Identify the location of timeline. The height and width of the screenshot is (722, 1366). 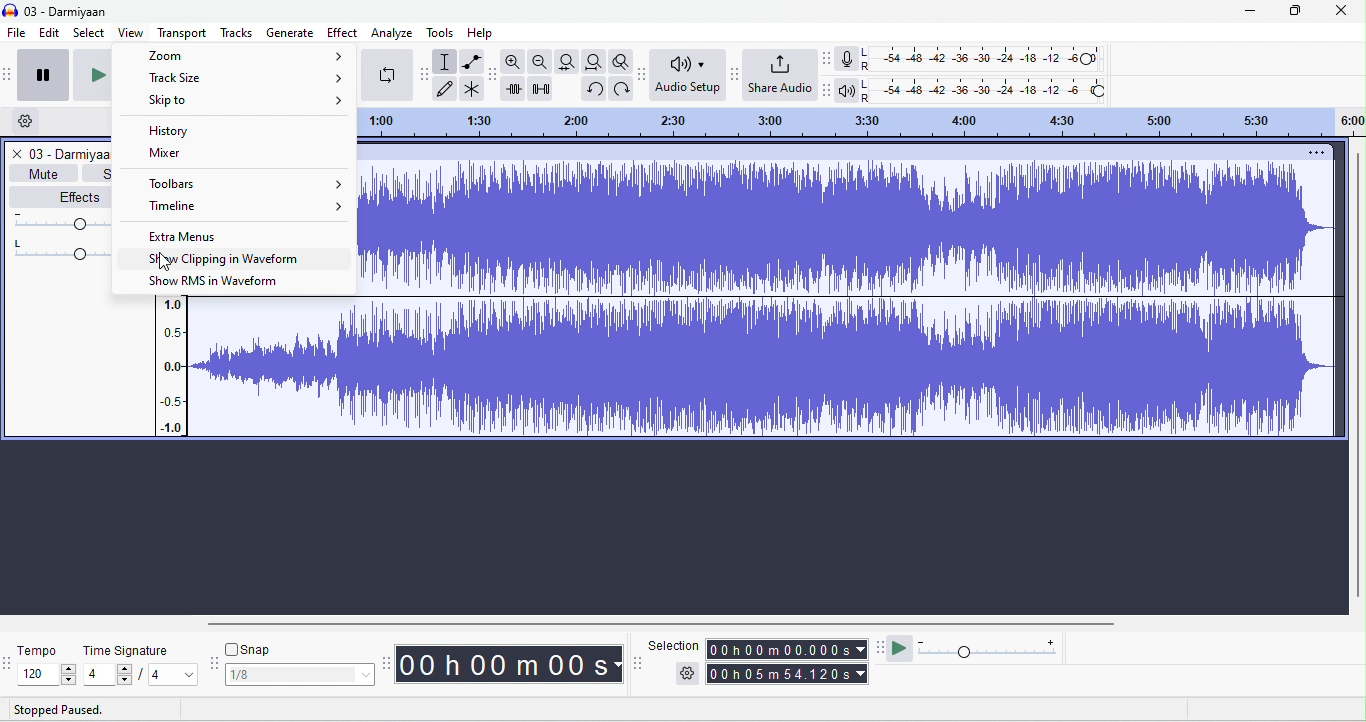
(246, 206).